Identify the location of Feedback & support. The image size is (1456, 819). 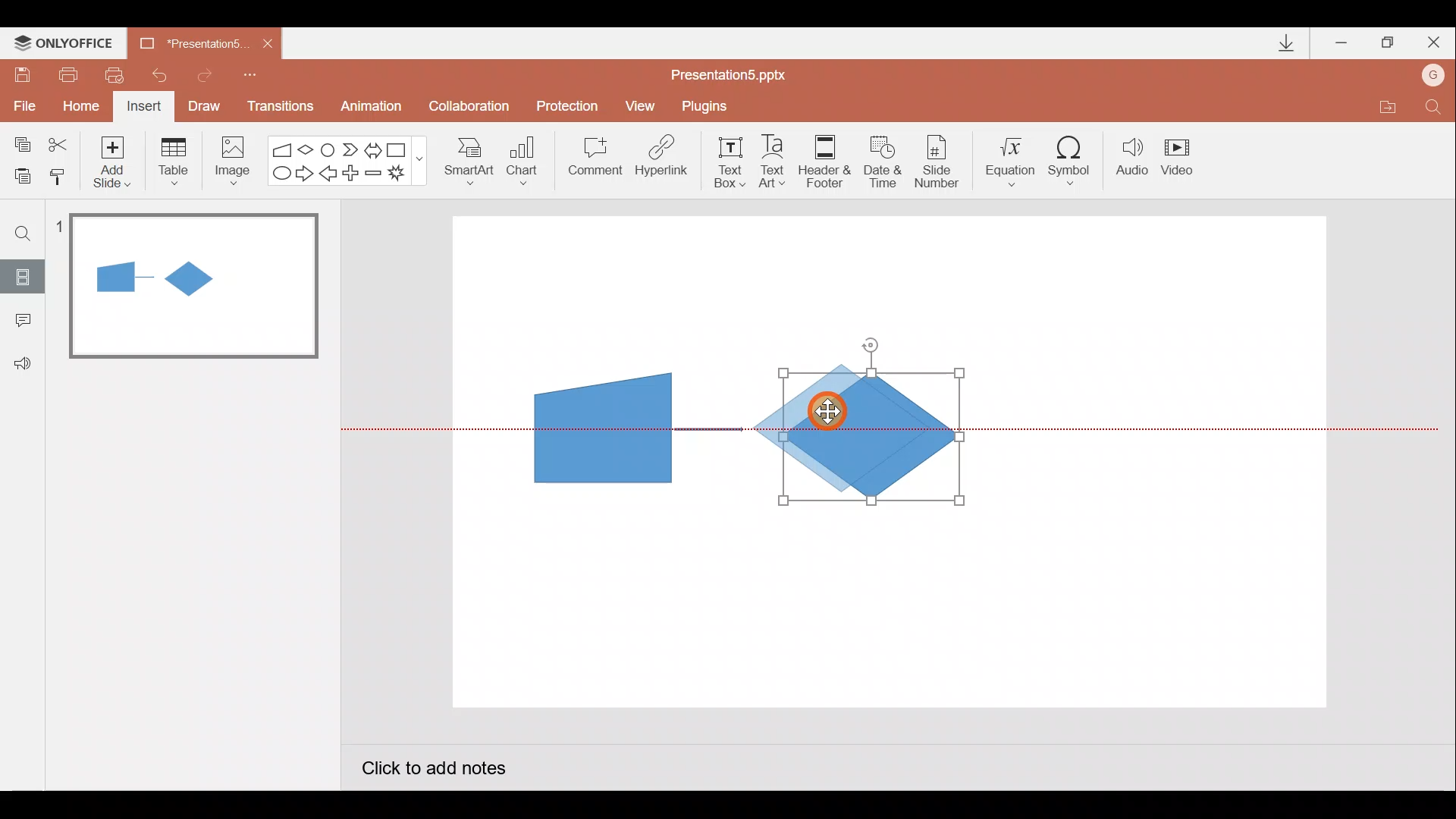
(24, 362).